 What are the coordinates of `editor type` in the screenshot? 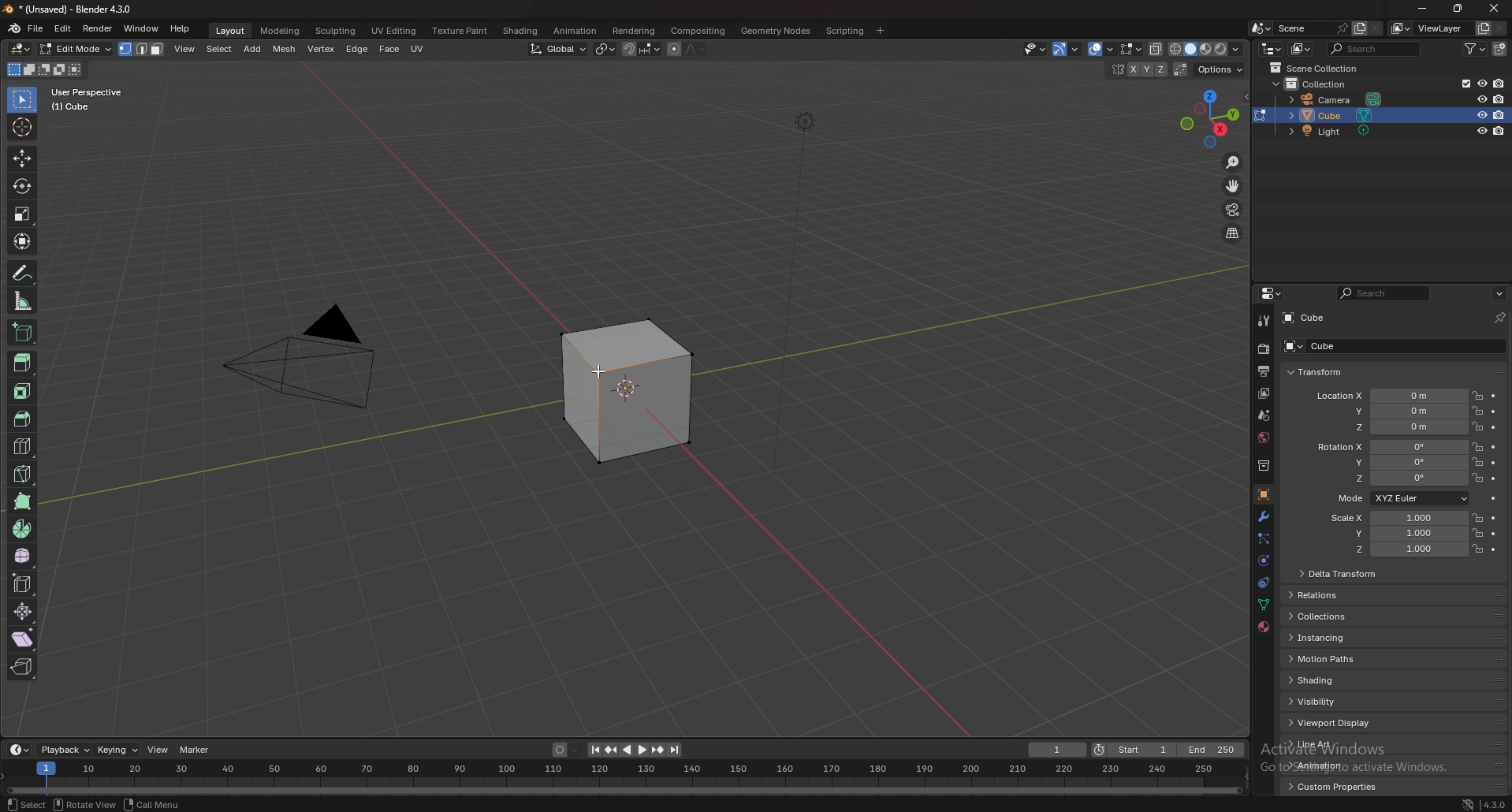 It's located at (21, 49).